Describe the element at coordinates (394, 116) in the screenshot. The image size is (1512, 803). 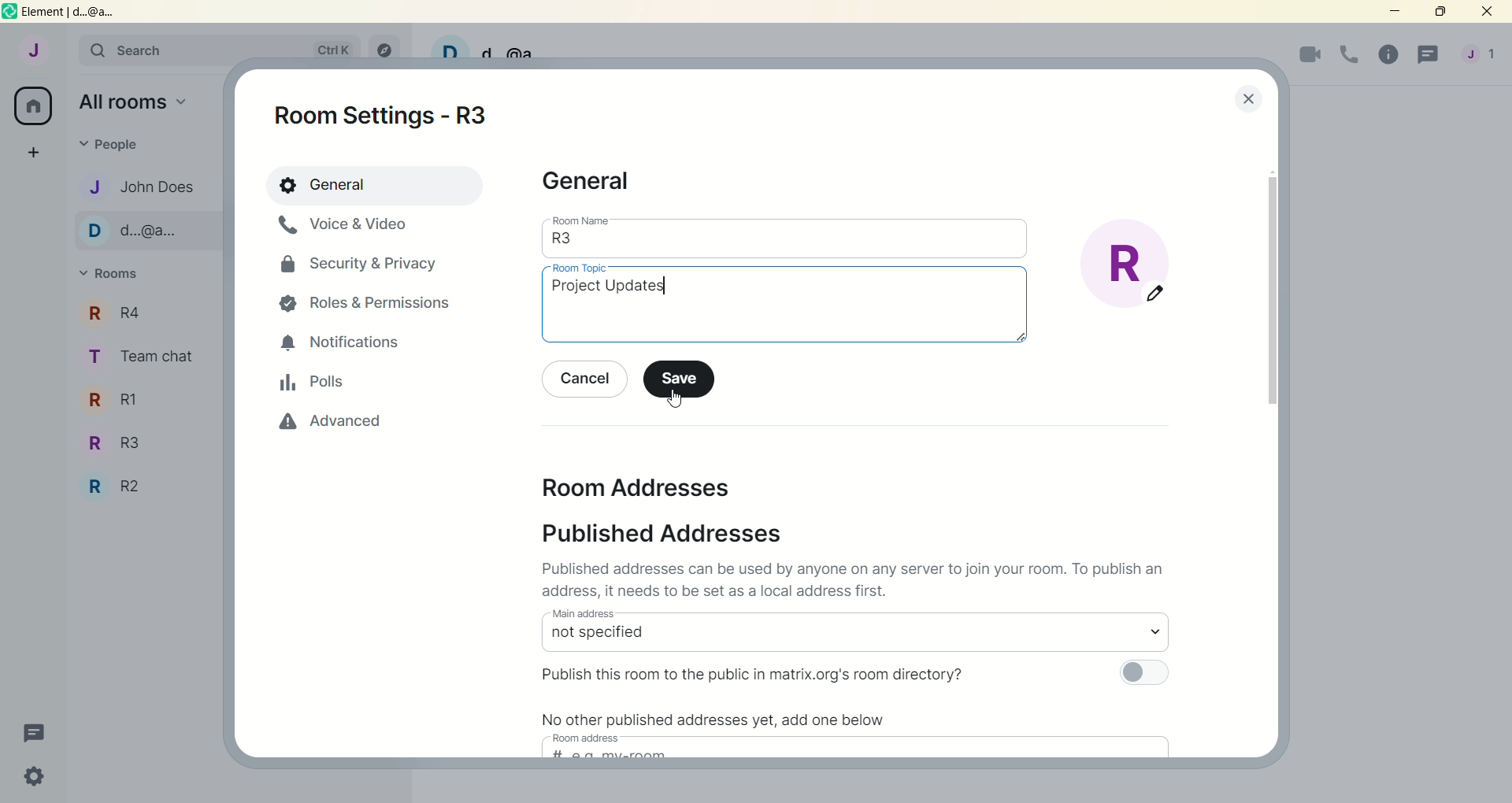
I see `room settings - R3` at that location.